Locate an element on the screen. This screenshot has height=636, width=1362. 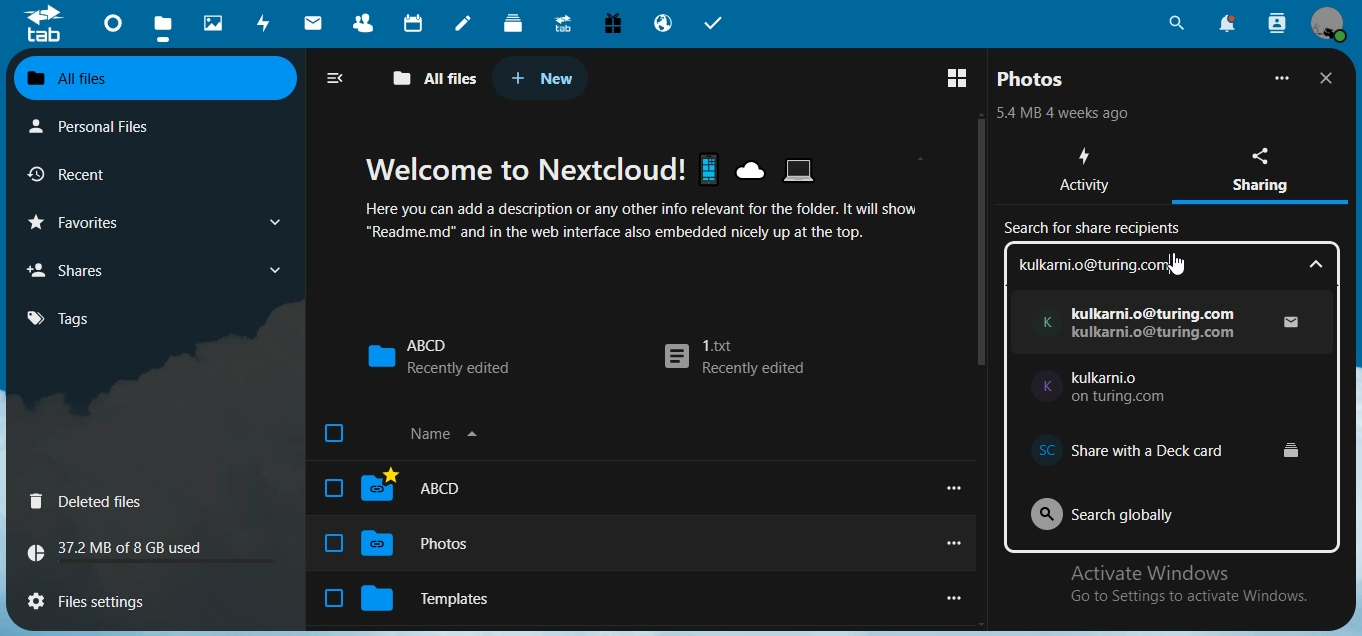
deck is located at coordinates (513, 22).